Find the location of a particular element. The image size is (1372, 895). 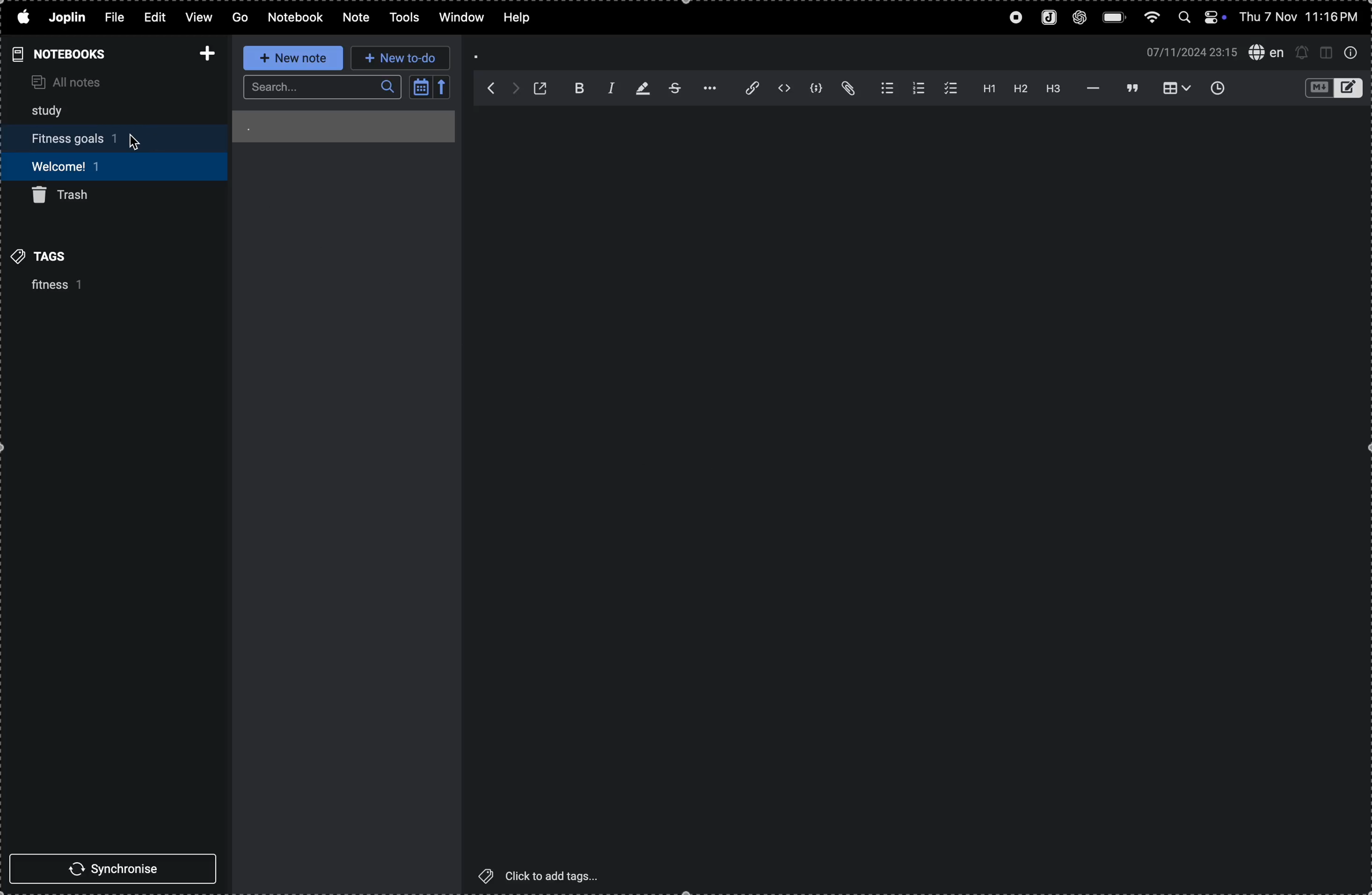

07/11/2022 23:15 is located at coordinates (1187, 52).